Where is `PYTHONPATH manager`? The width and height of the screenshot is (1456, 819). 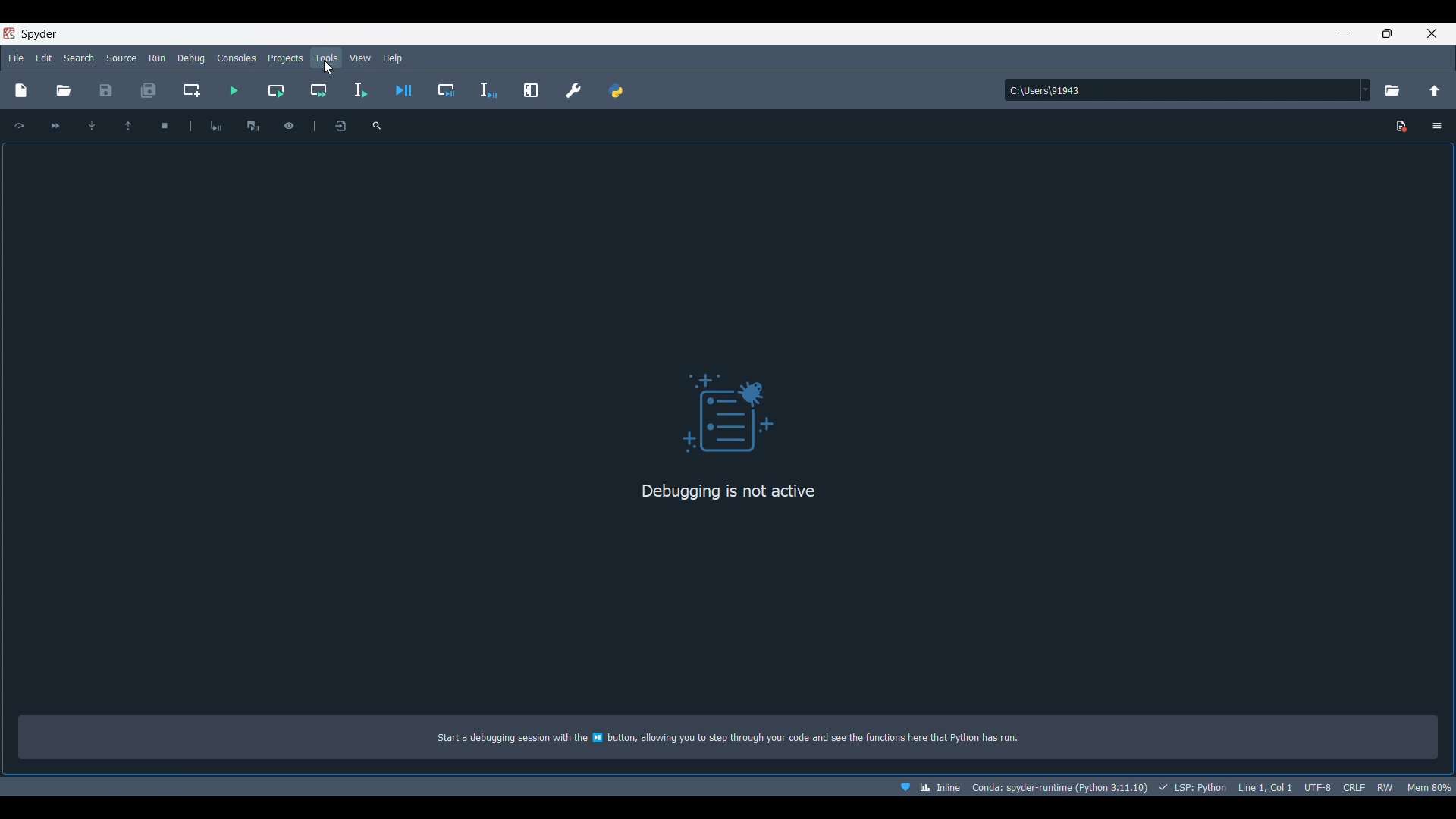
PYTHONPATH manager is located at coordinates (616, 90).